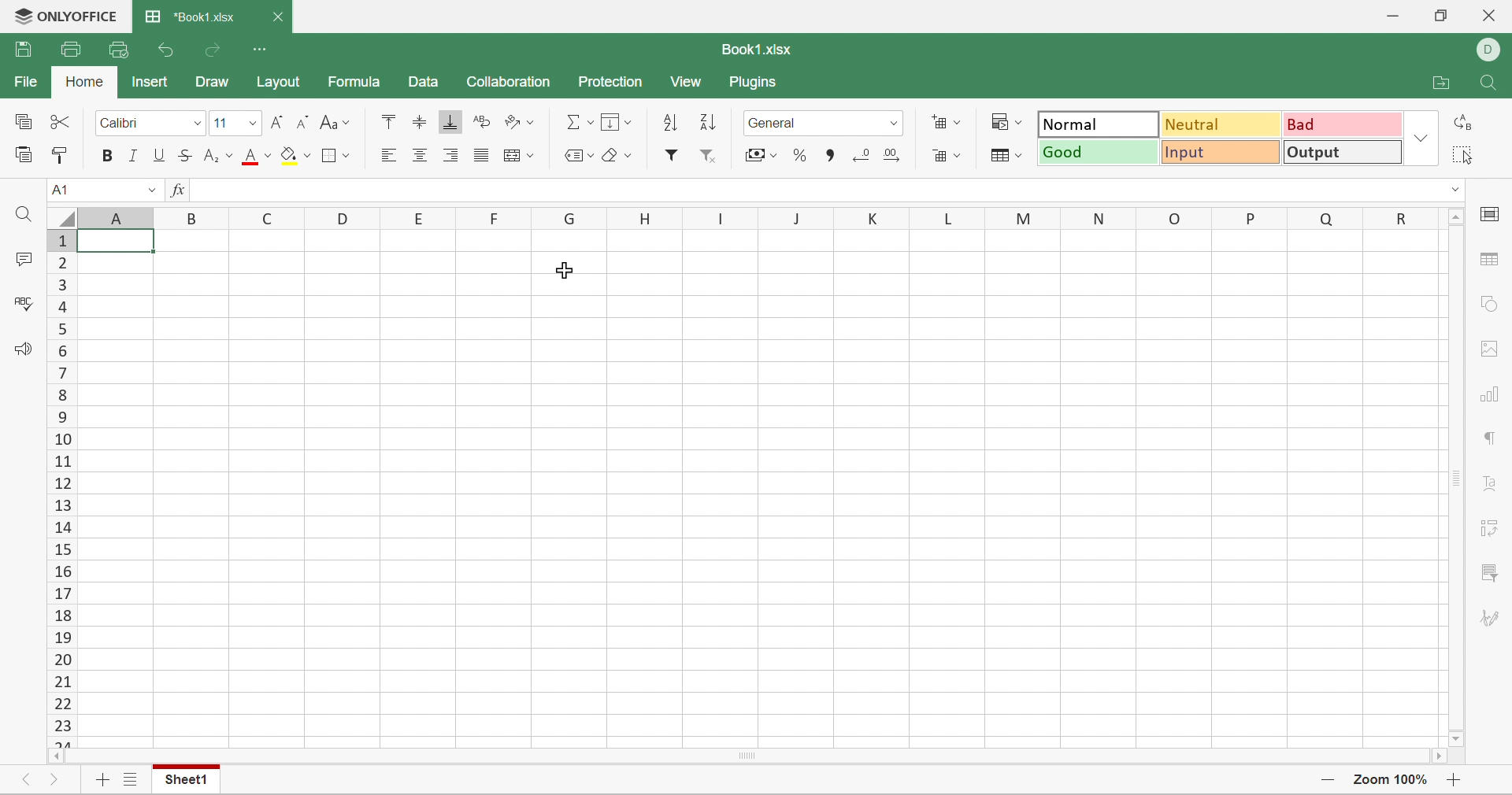 The width and height of the screenshot is (1512, 795). What do you see at coordinates (518, 122) in the screenshot?
I see `Orientation` at bounding box center [518, 122].